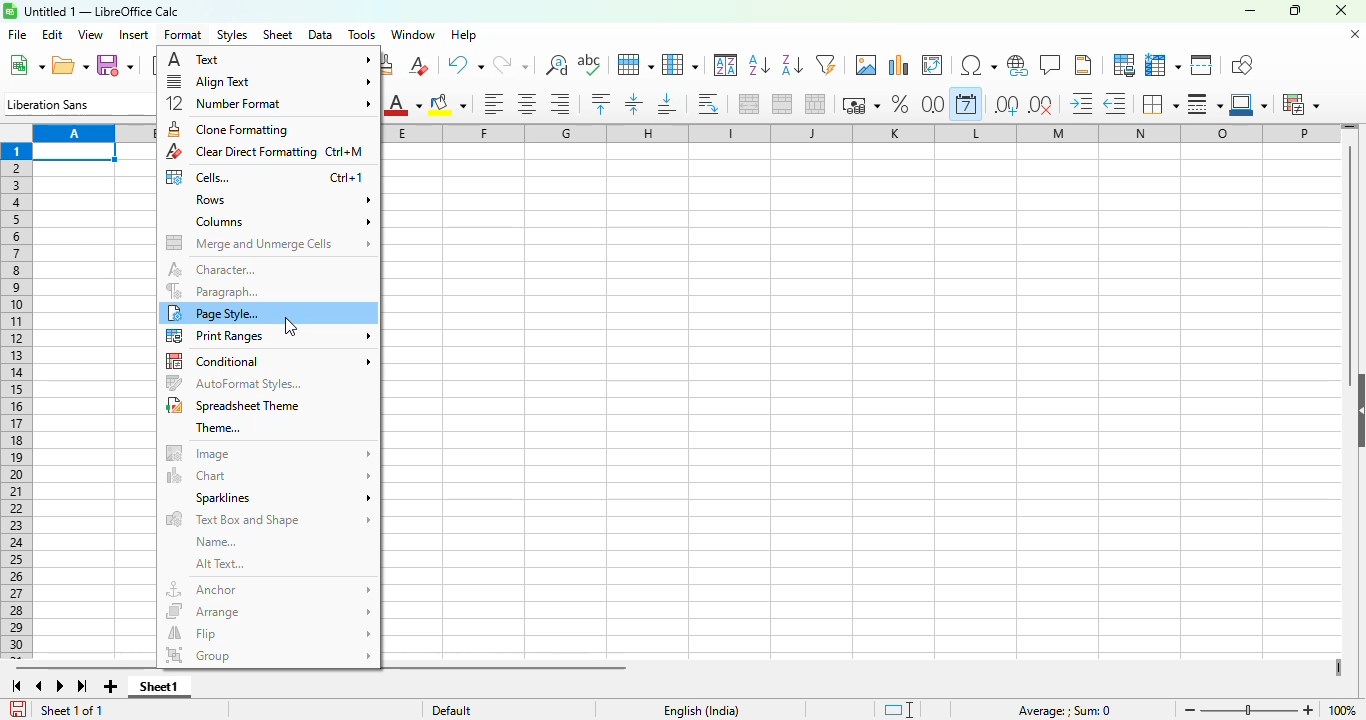 Image resolution: width=1366 pixels, height=720 pixels. What do you see at coordinates (271, 475) in the screenshot?
I see `chart` at bounding box center [271, 475].